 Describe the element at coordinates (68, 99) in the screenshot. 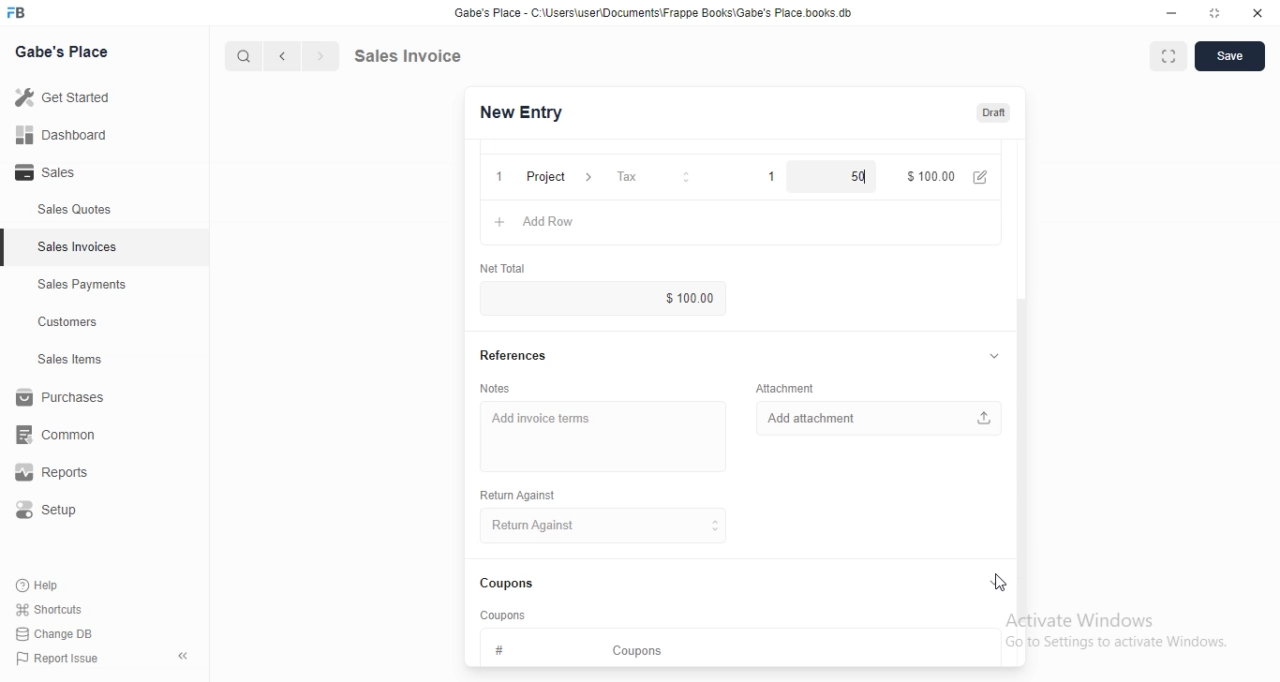

I see `Getstared` at that location.